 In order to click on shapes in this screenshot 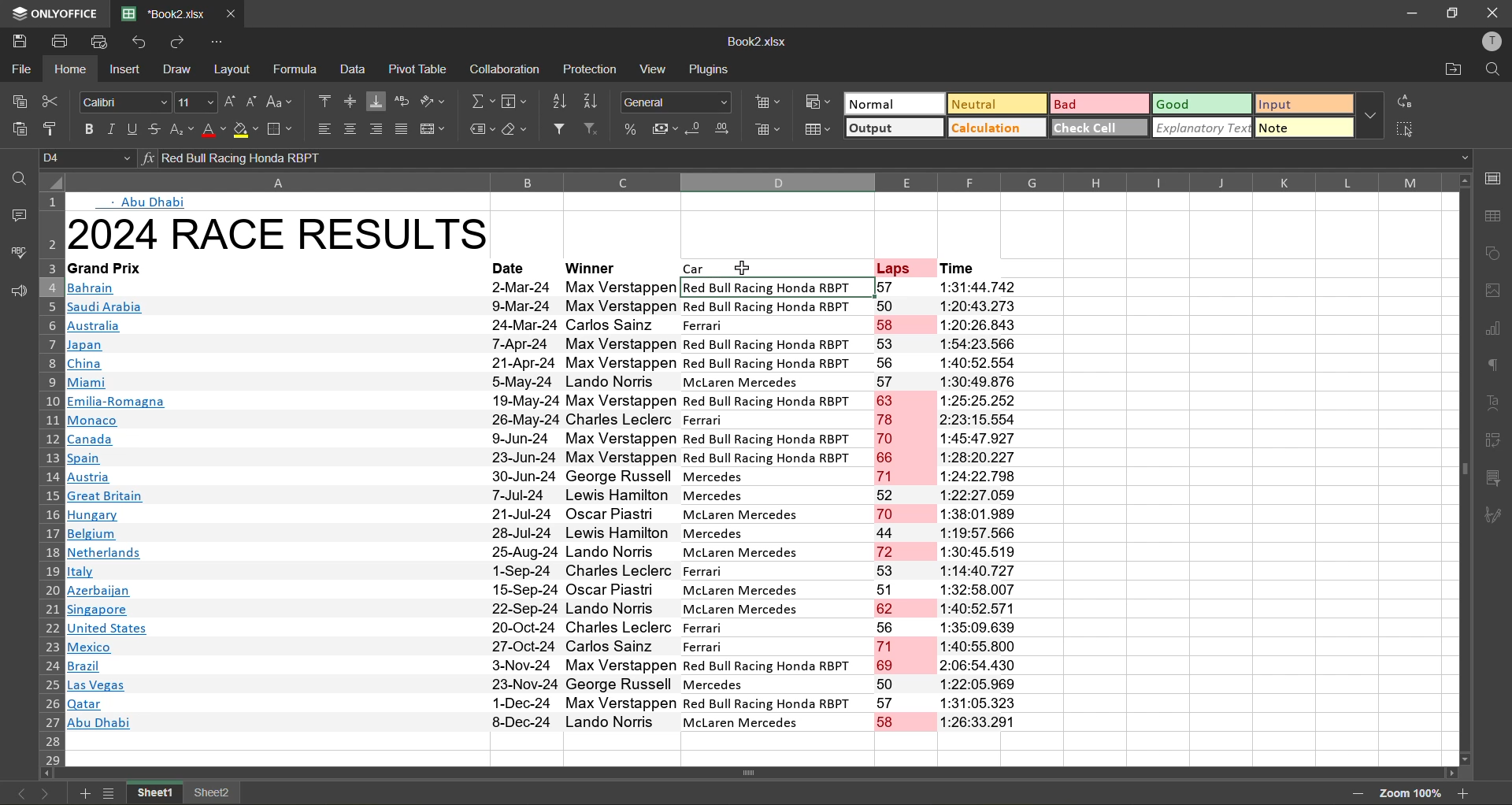, I will do `click(1498, 252)`.